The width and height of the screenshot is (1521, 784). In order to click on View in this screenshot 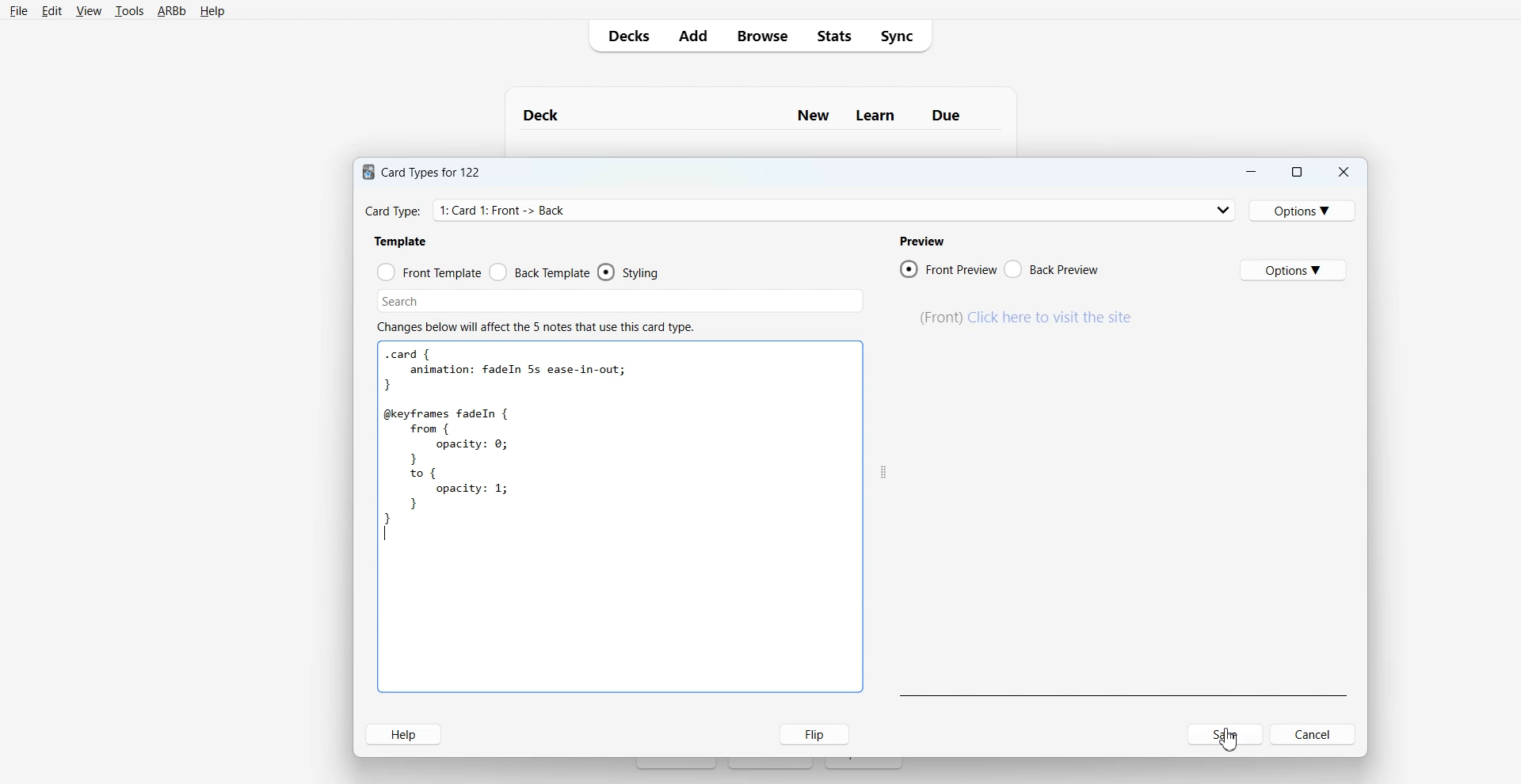, I will do `click(89, 10)`.